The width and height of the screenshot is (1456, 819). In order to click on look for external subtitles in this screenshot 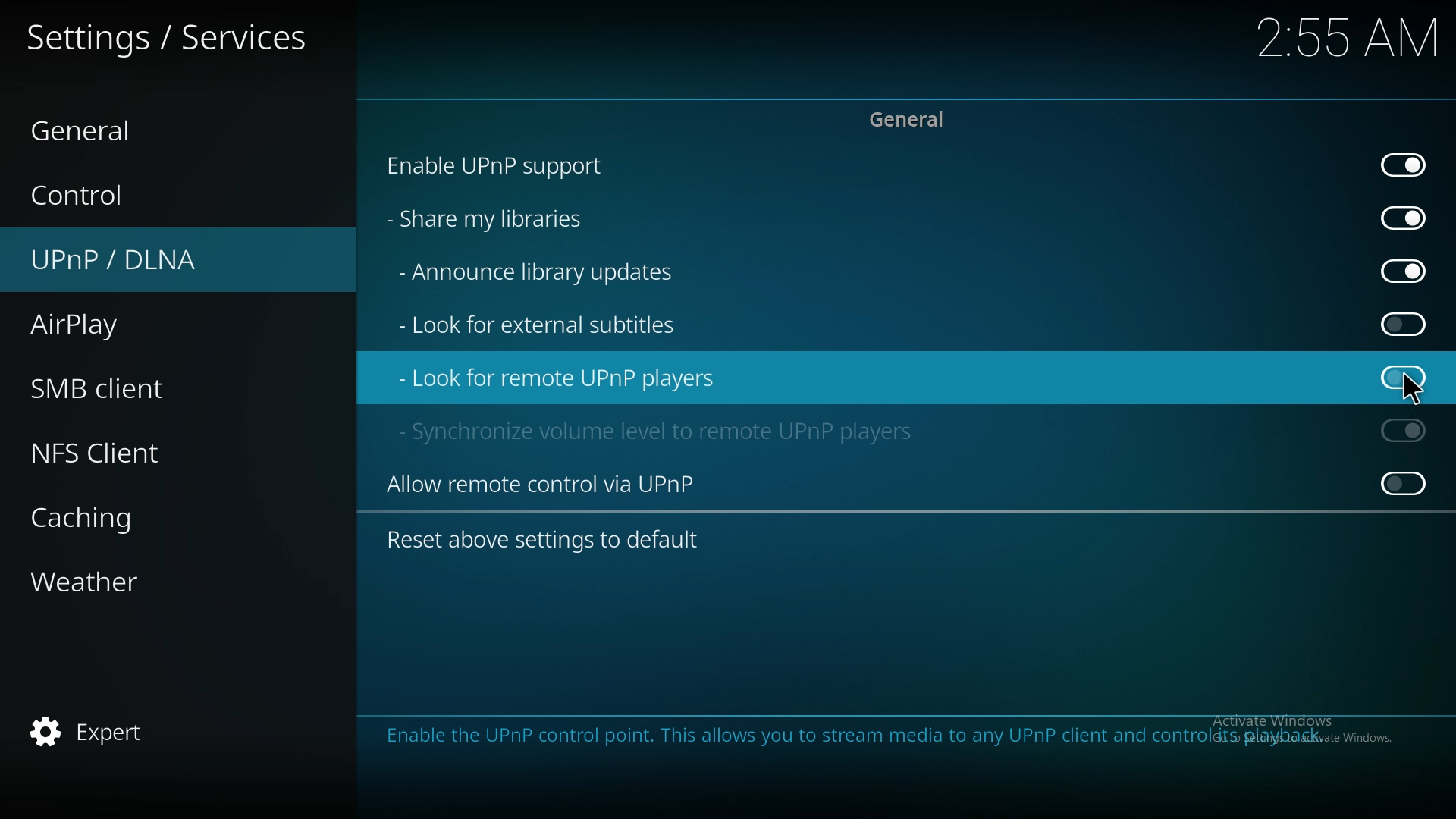, I will do `click(557, 322)`.